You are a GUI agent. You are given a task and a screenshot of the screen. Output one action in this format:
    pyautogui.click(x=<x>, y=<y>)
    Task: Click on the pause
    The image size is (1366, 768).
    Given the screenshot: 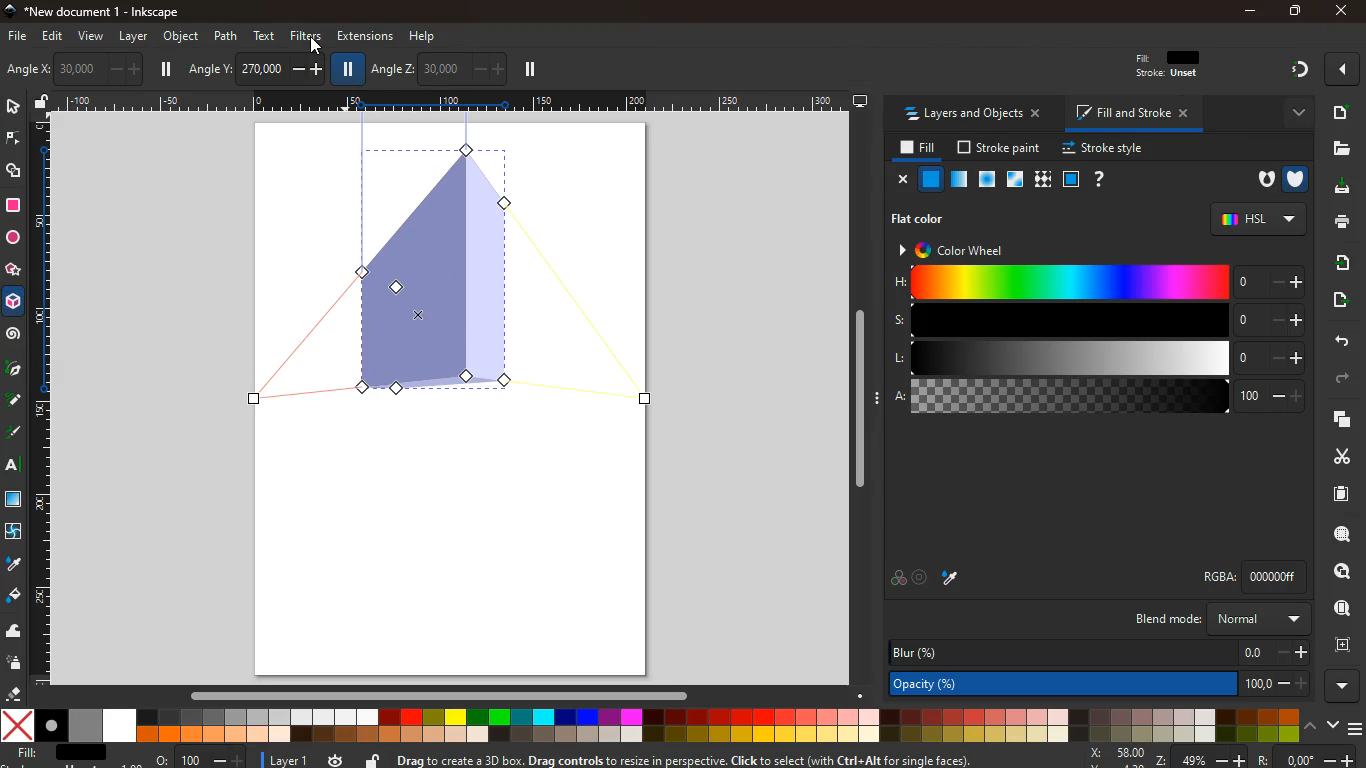 What is the action you would take?
    pyautogui.click(x=168, y=69)
    